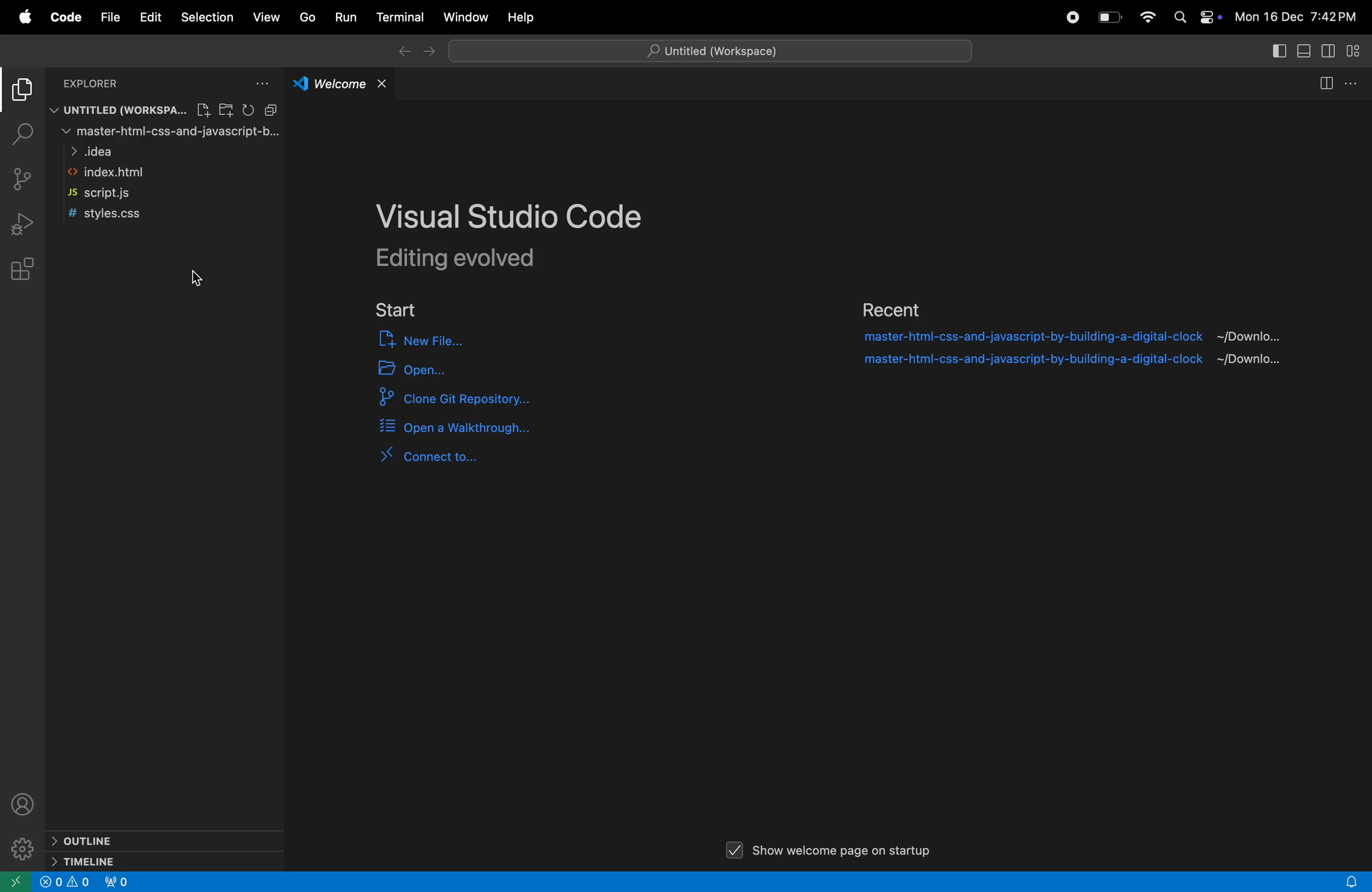 The height and width of the screenshot is (892, 1372). Describe the element at coordinates (480, 259) in the screenshot. I see `editing evolved` at that location.